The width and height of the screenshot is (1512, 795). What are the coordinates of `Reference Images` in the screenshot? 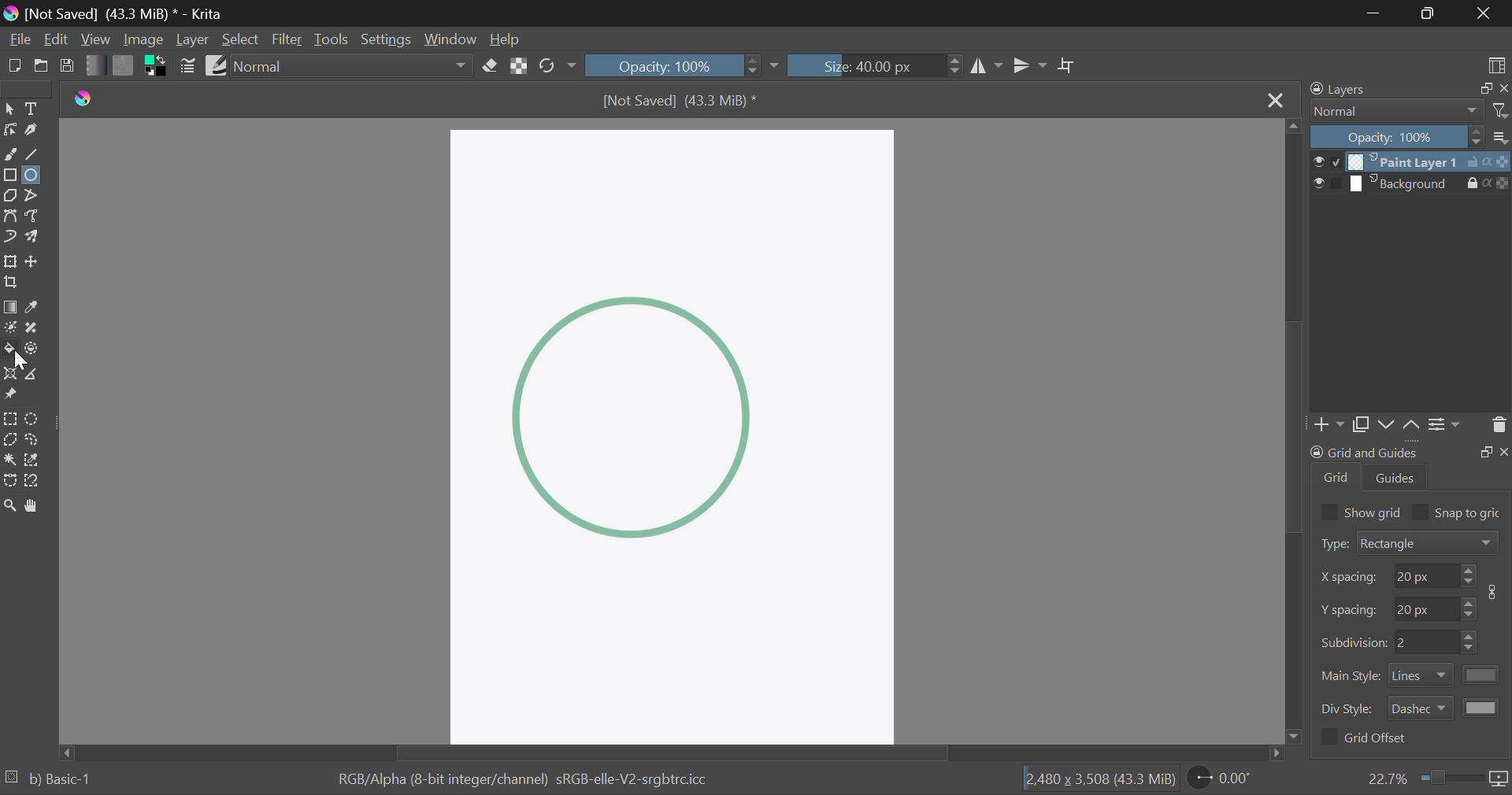 It's located at (9, 394).